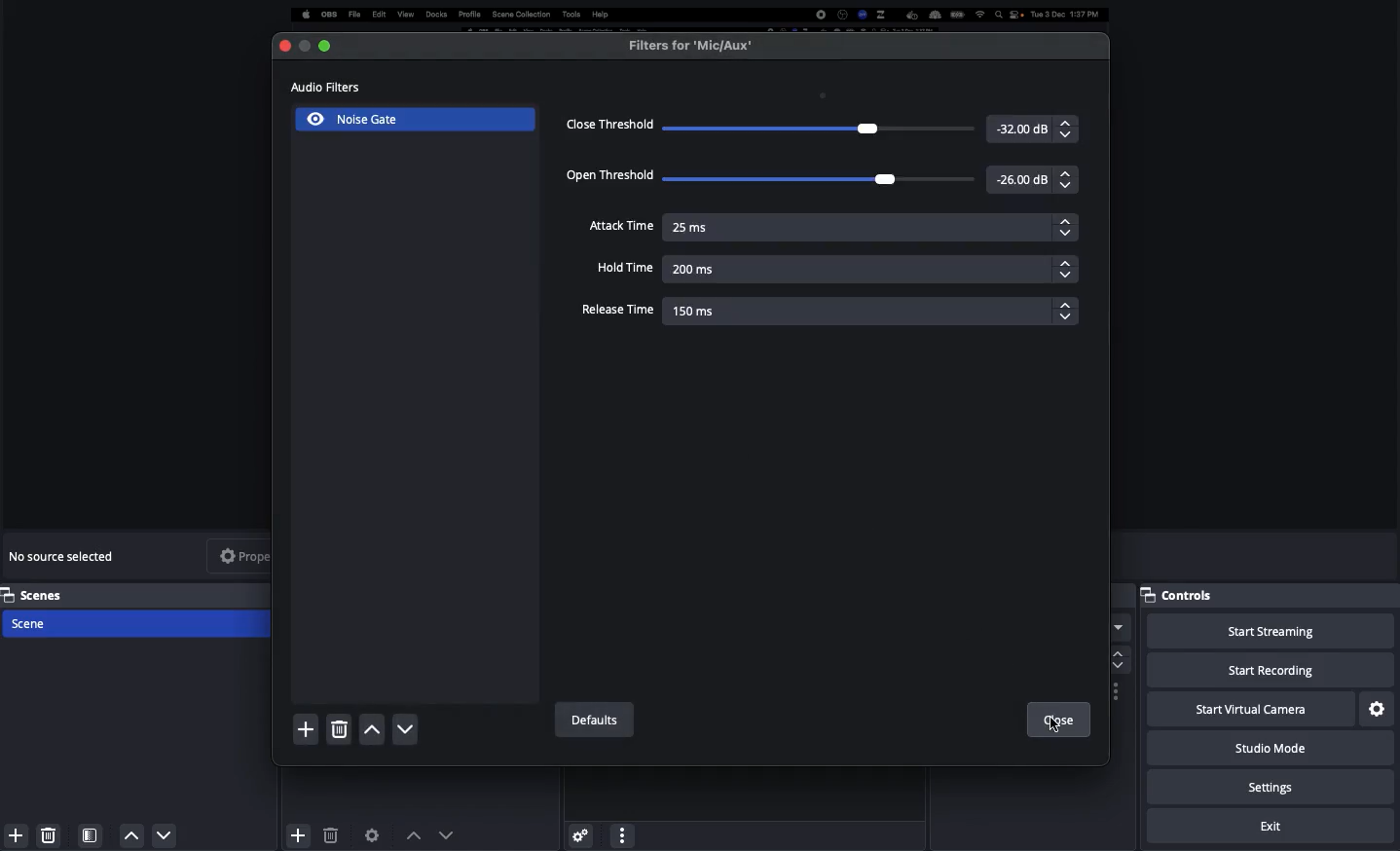 This screenshot has width=1400, height=851. What do you see at coordinates (302, 45) in the screenshot?
I see `maximize` at bounding box center [302, 45].